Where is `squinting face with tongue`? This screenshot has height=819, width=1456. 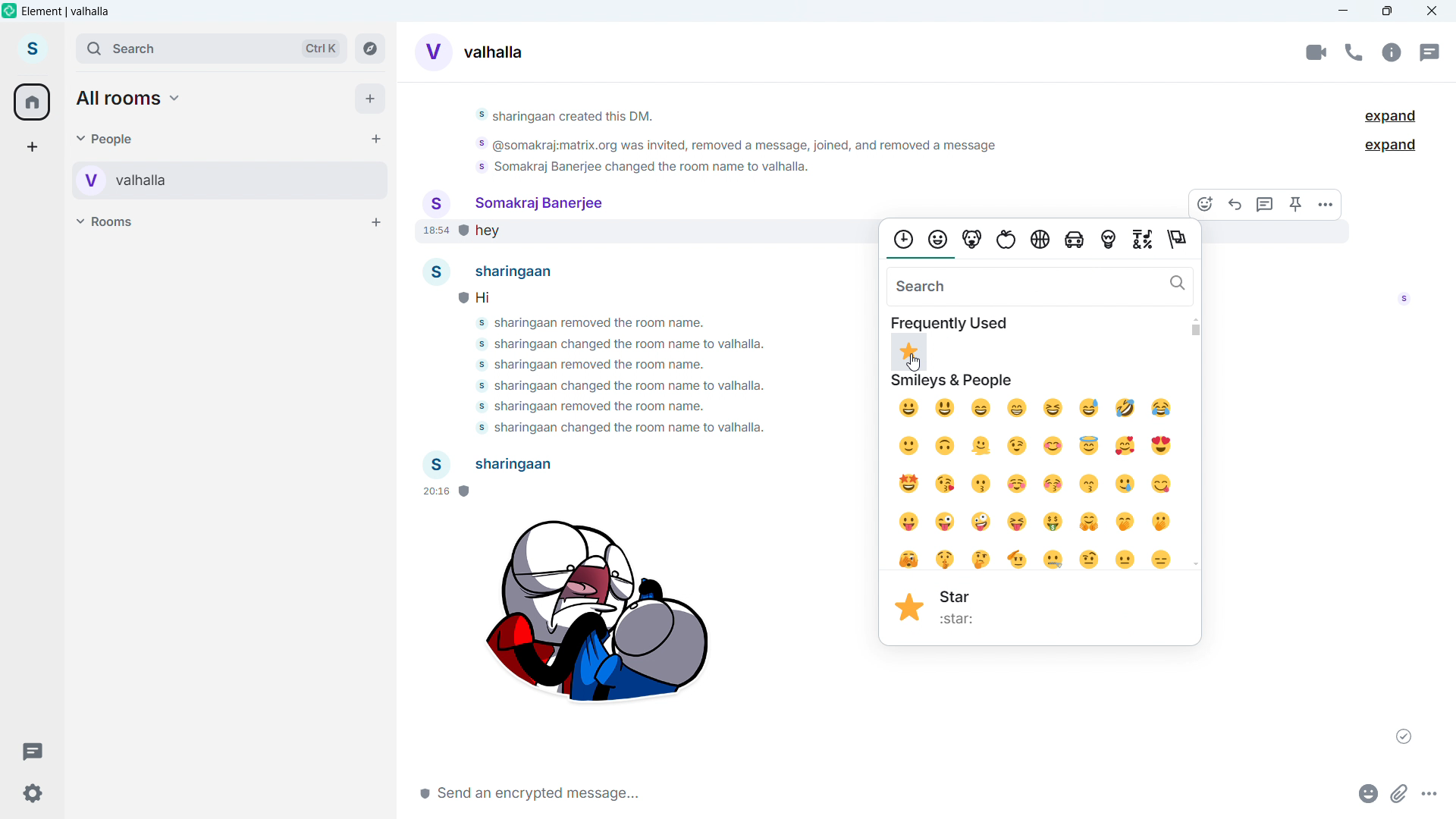
squinting face with tongue is located at coordinates (1017, 522).